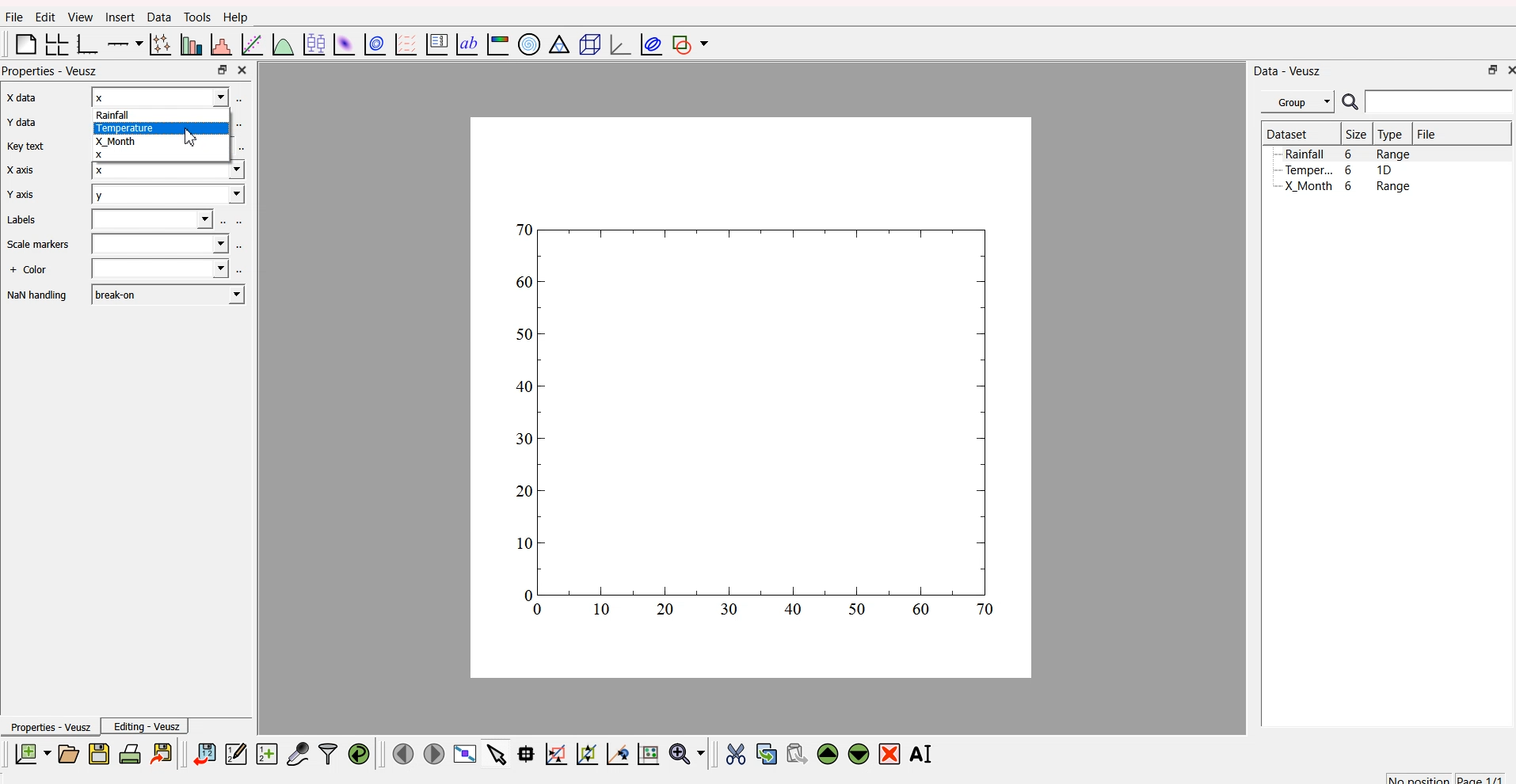  What do you see at coordinates (688, 752) in the screenshot?
I see `zoom menu` at bounding box center [688, 752].